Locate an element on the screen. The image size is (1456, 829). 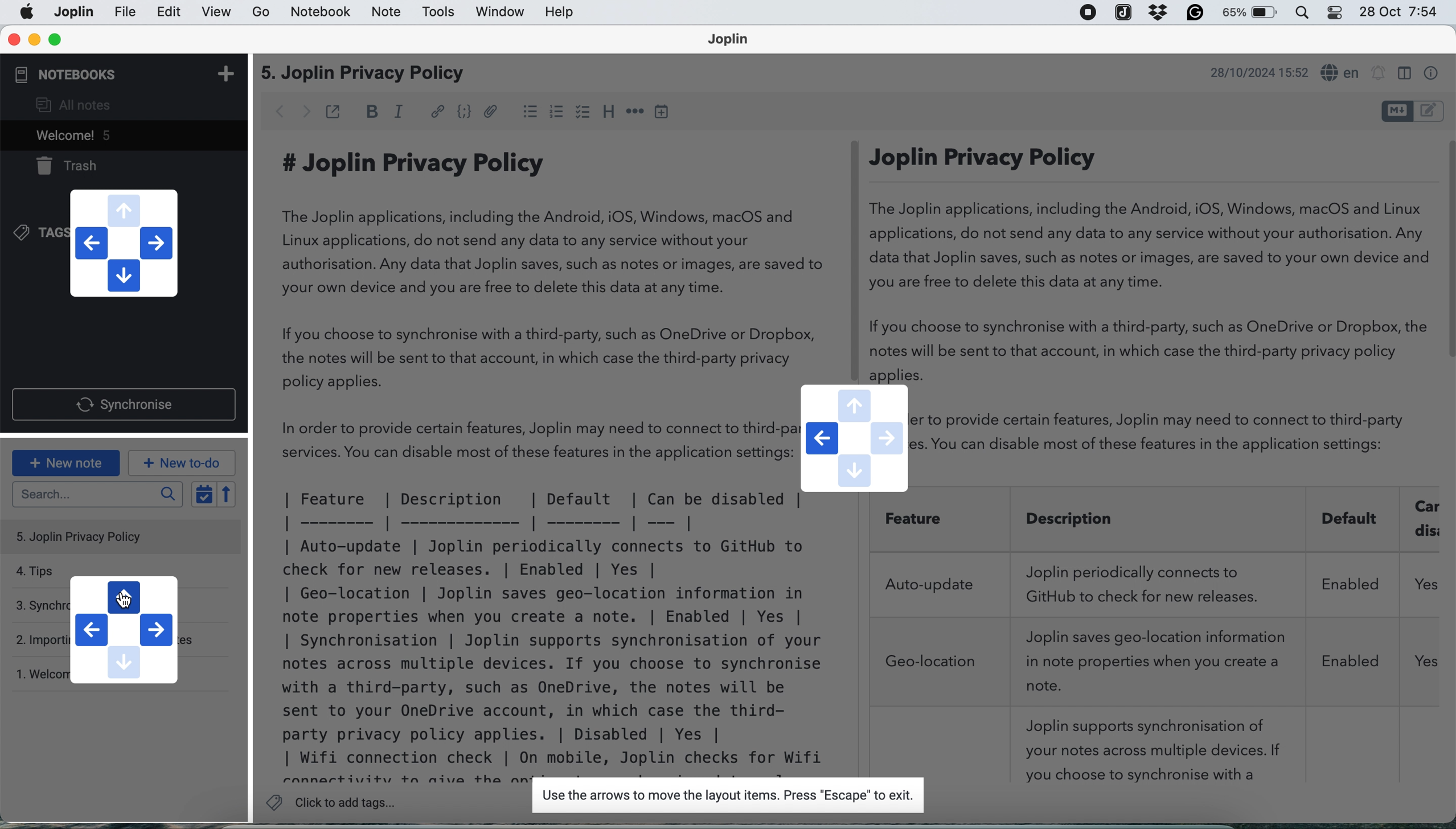
control center is located at coordinates (1307, 13).